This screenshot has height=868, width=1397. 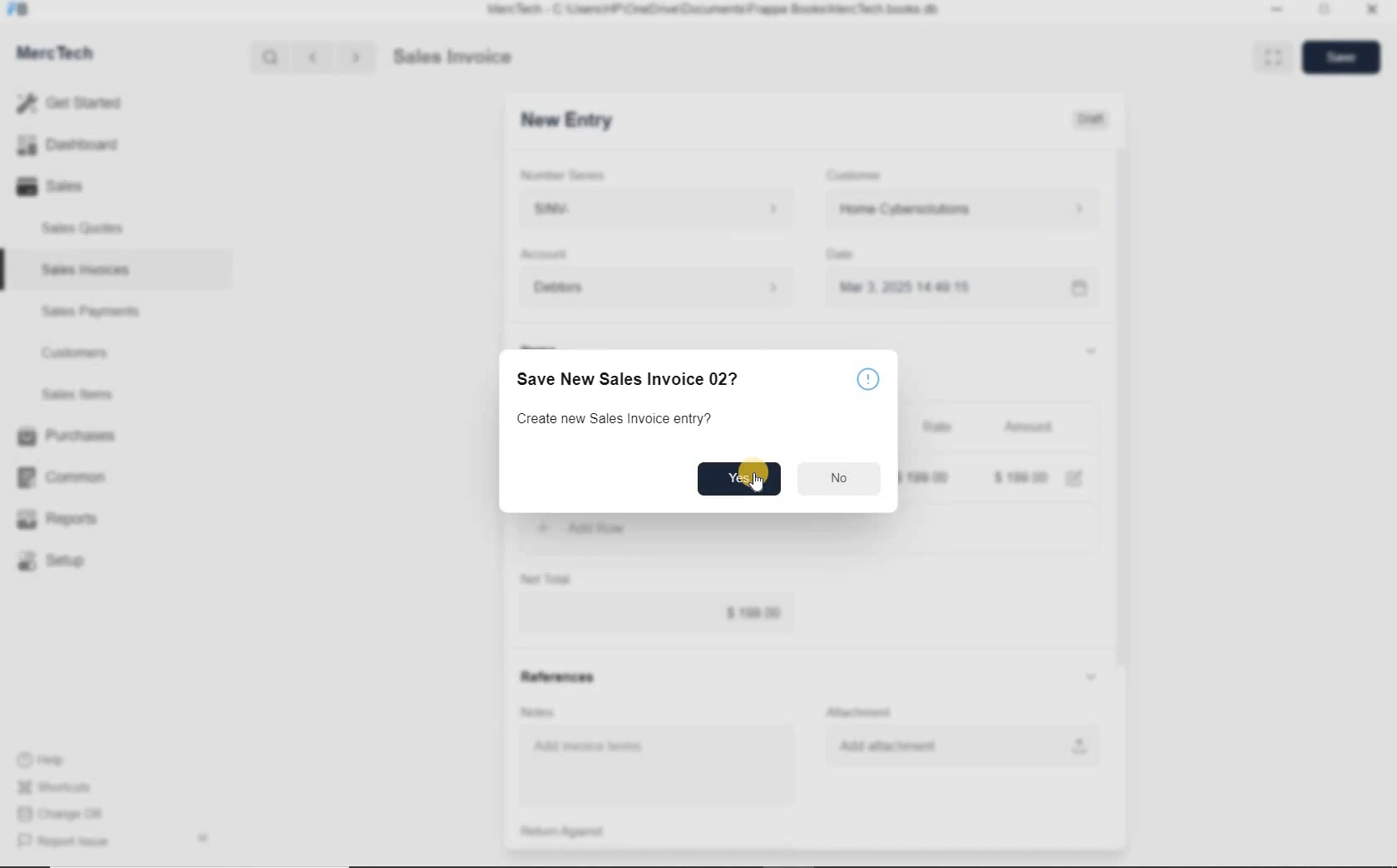 What do you see at coordinates (50, 760) in the screenshot?
I see `Help` at bounding box center [50, 760].